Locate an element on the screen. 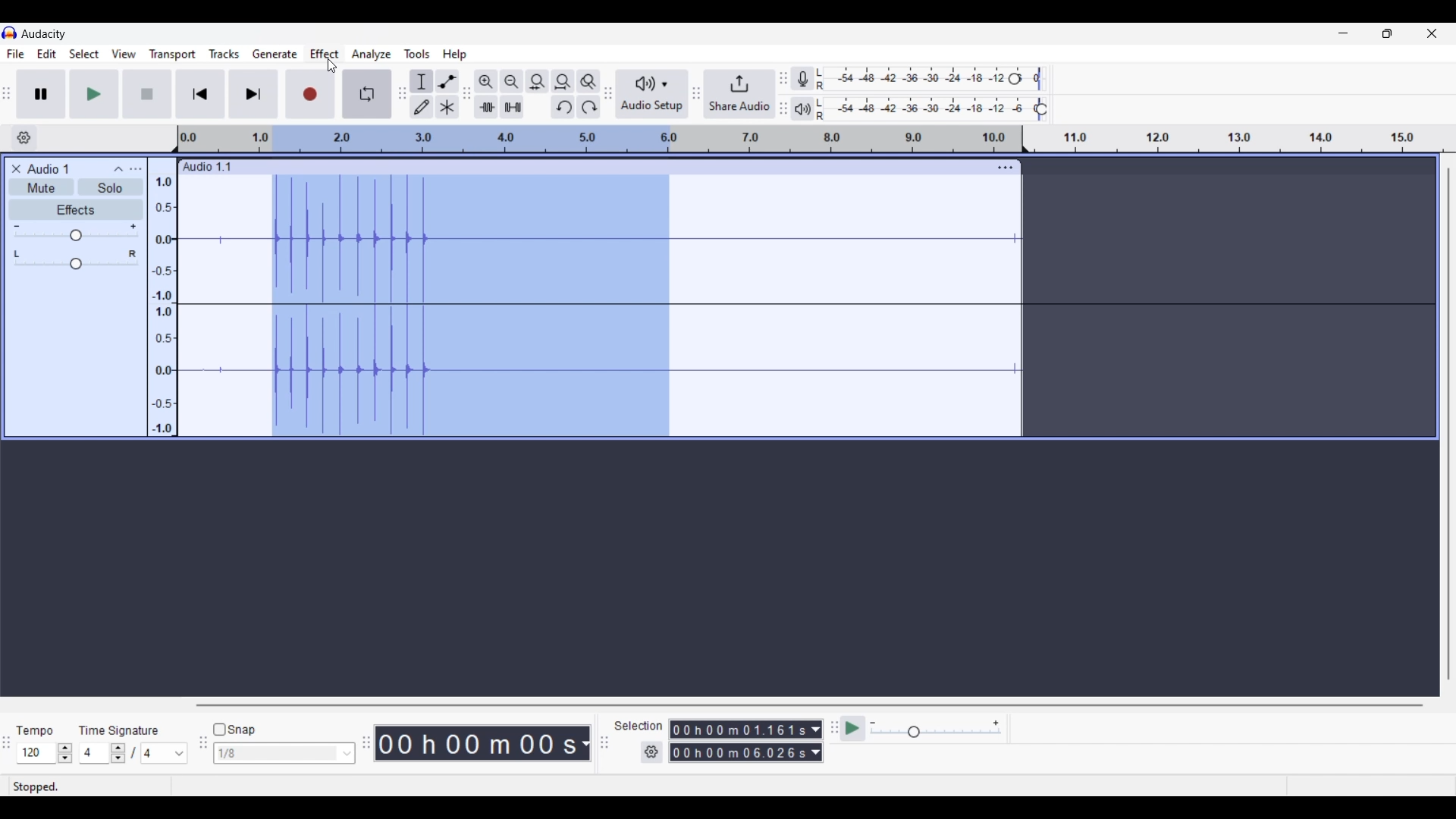  Tempo is located at coordinates (34, 730).